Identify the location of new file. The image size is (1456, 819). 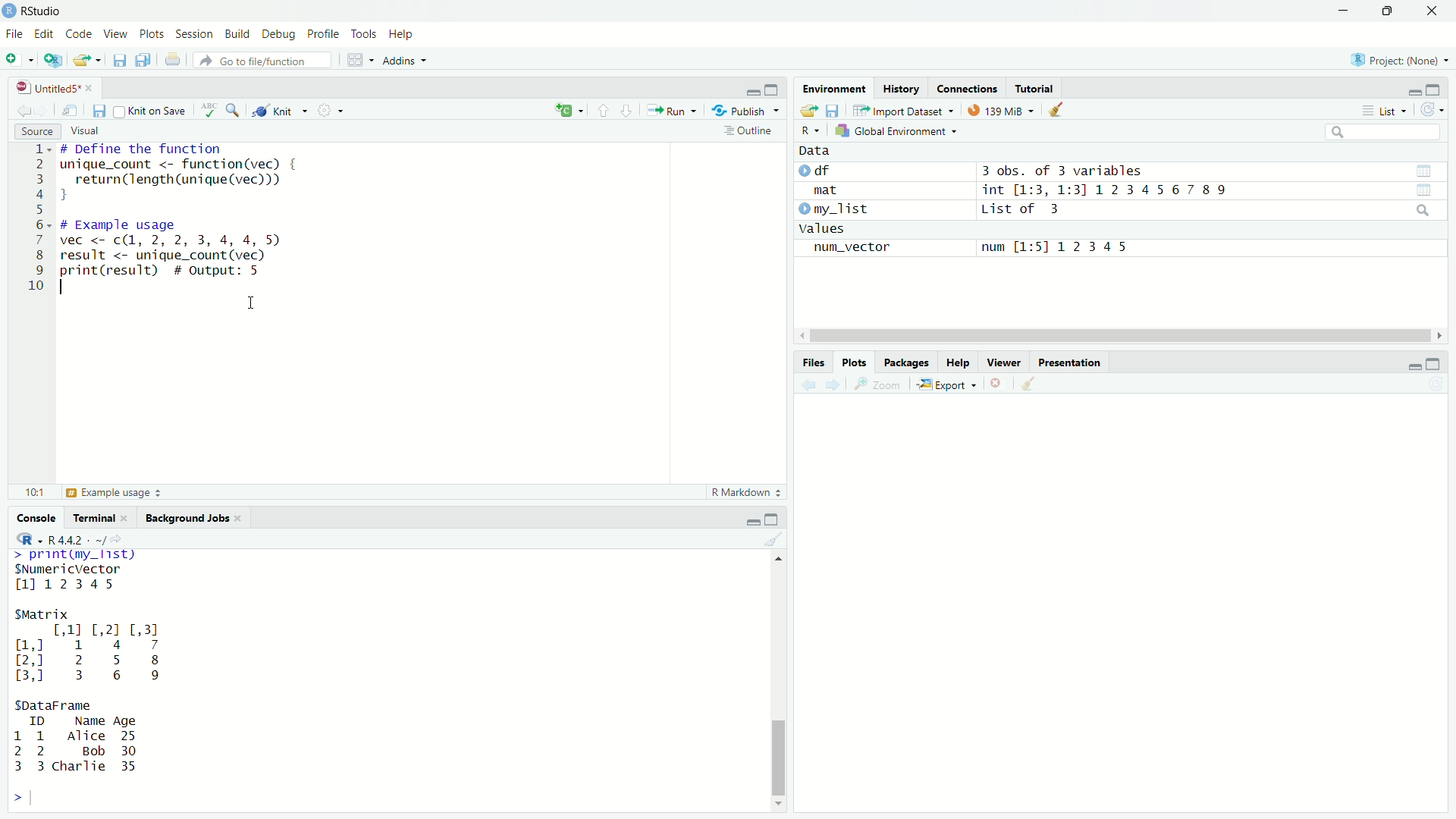
(13, 58).